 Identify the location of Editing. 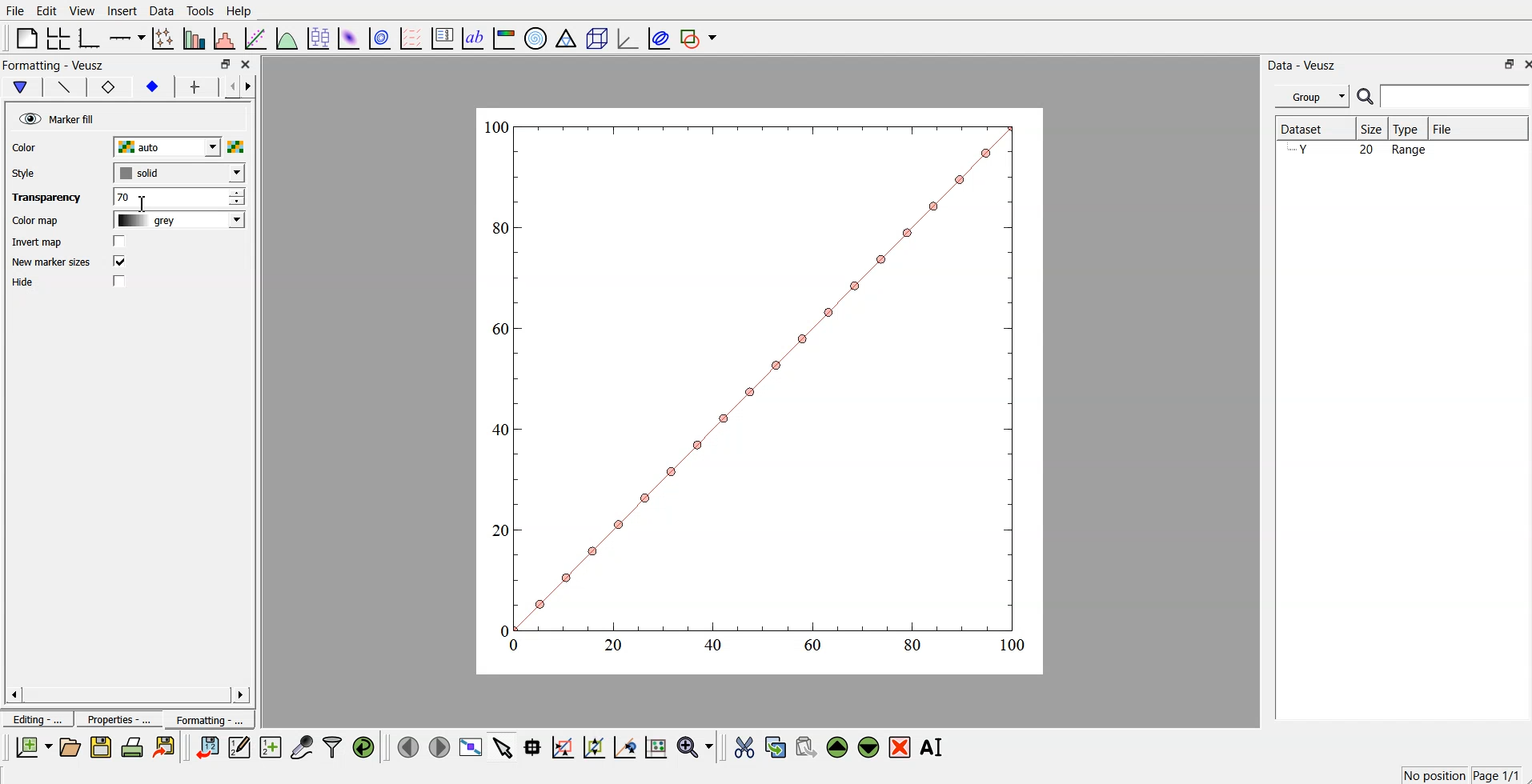
(36, 718).